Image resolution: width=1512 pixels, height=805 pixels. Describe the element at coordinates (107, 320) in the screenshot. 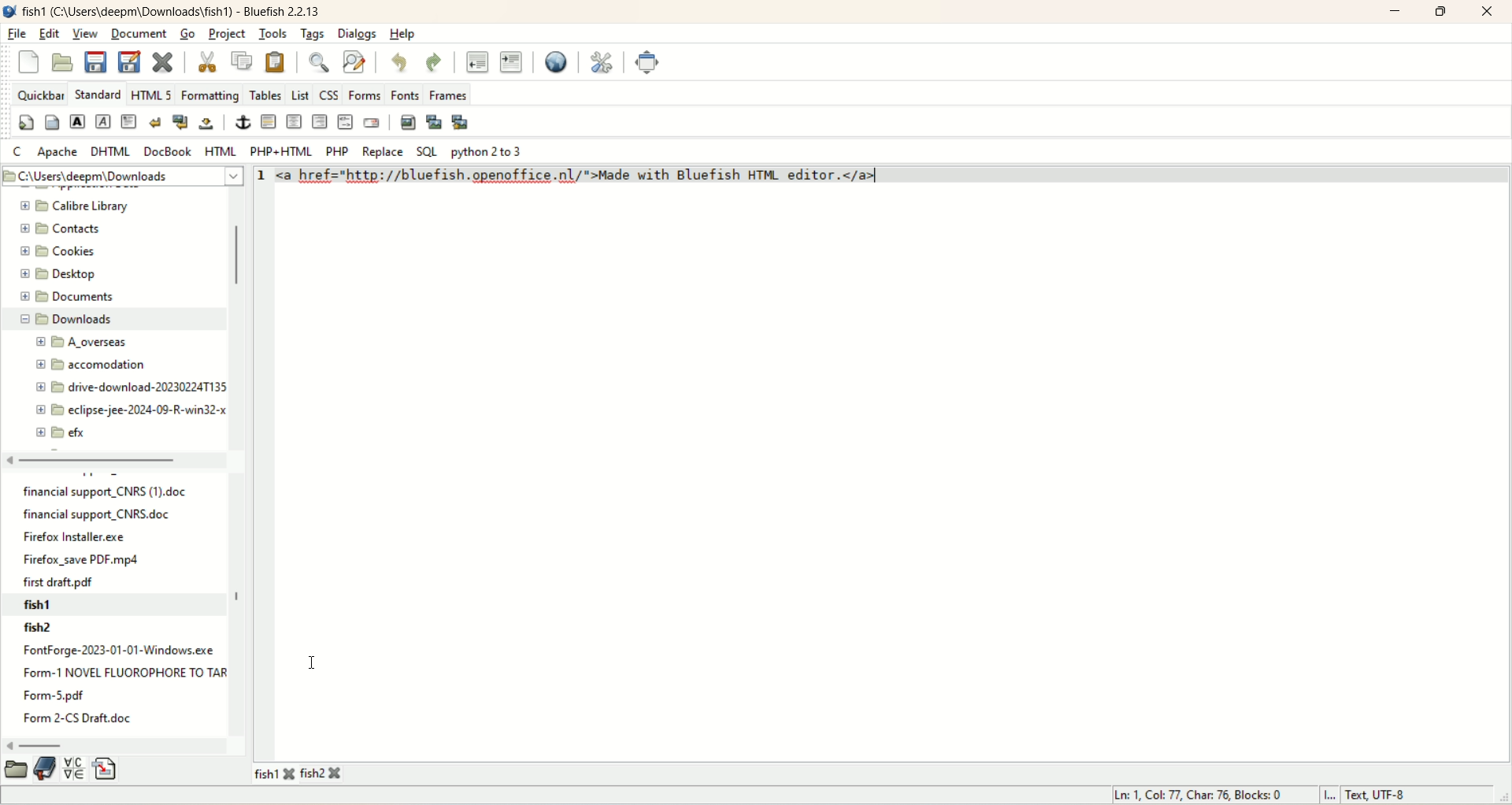

I see `downloads` at that location.